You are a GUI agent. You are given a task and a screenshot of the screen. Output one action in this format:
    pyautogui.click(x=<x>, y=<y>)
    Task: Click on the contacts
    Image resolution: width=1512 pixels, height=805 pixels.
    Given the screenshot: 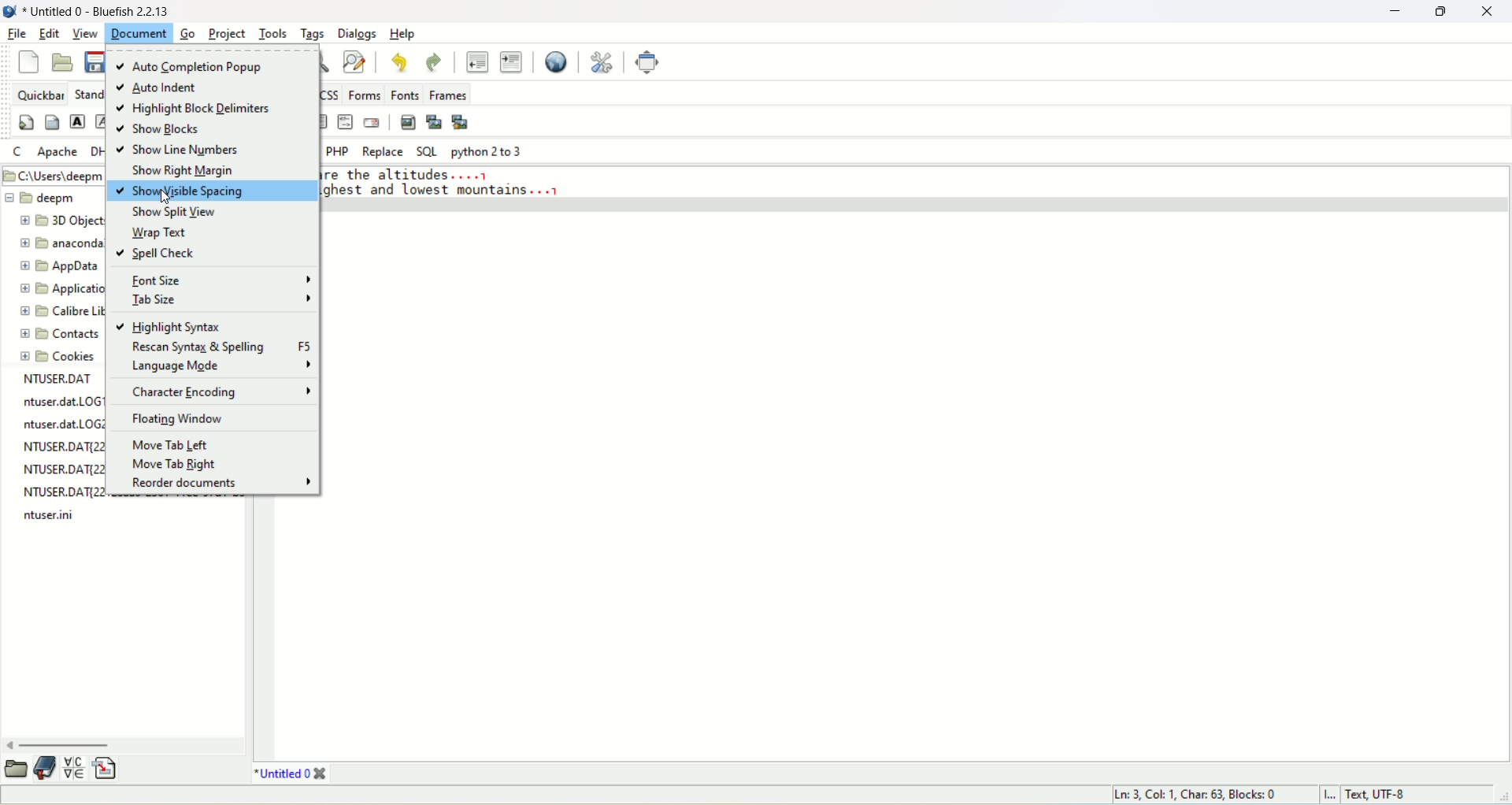 What is the action you would take?
    pyautogui.click(x=61, y=335)
    